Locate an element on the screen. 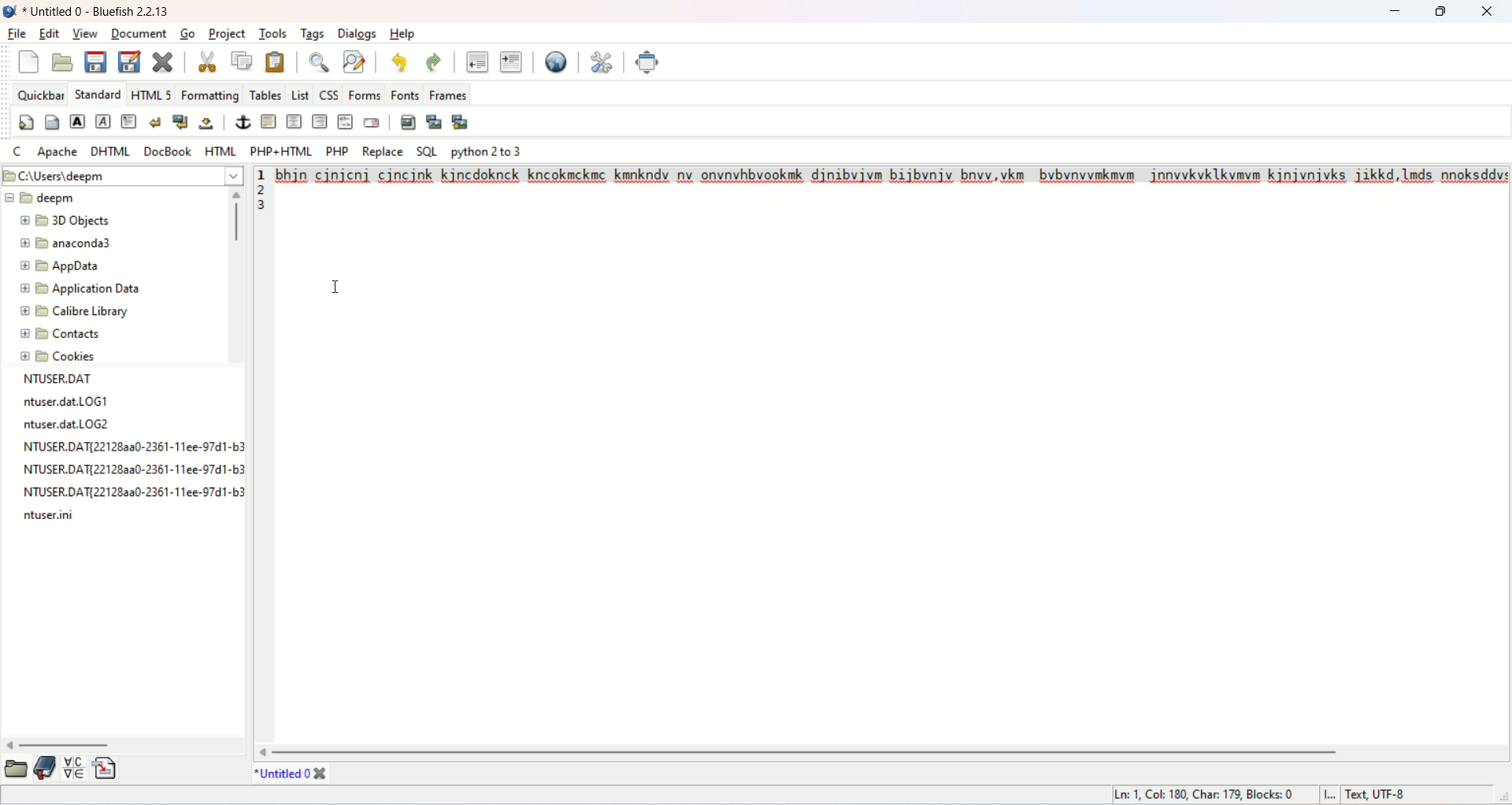 The width and height of the screenshot is (1512, 805). redo is located at coordinates (431, 63).